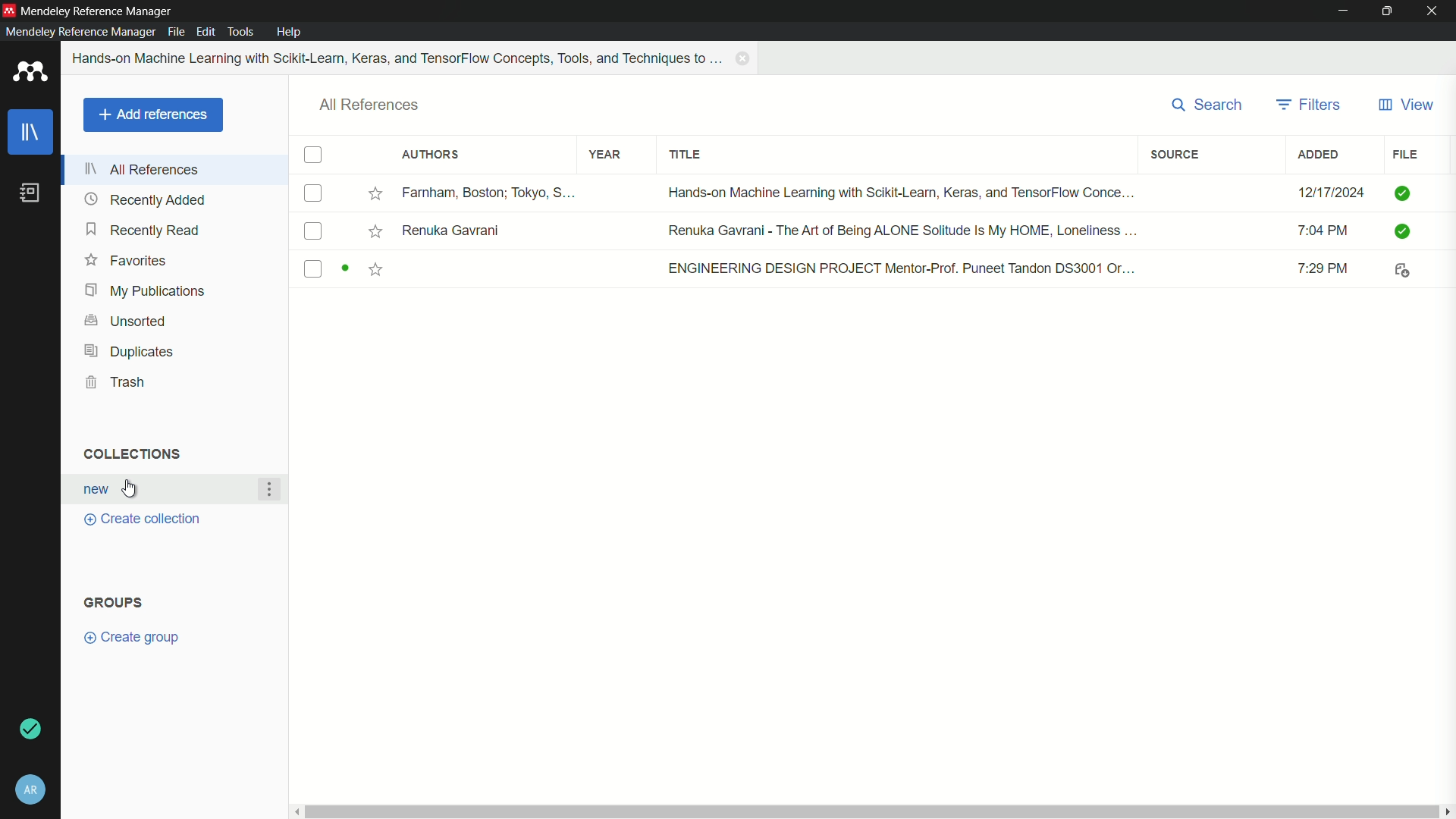 The image size is (1456, 819). What do you see at coordinates (130, 351) in the screenshot?
I see `duplicates` at bounding box center [130, 351].